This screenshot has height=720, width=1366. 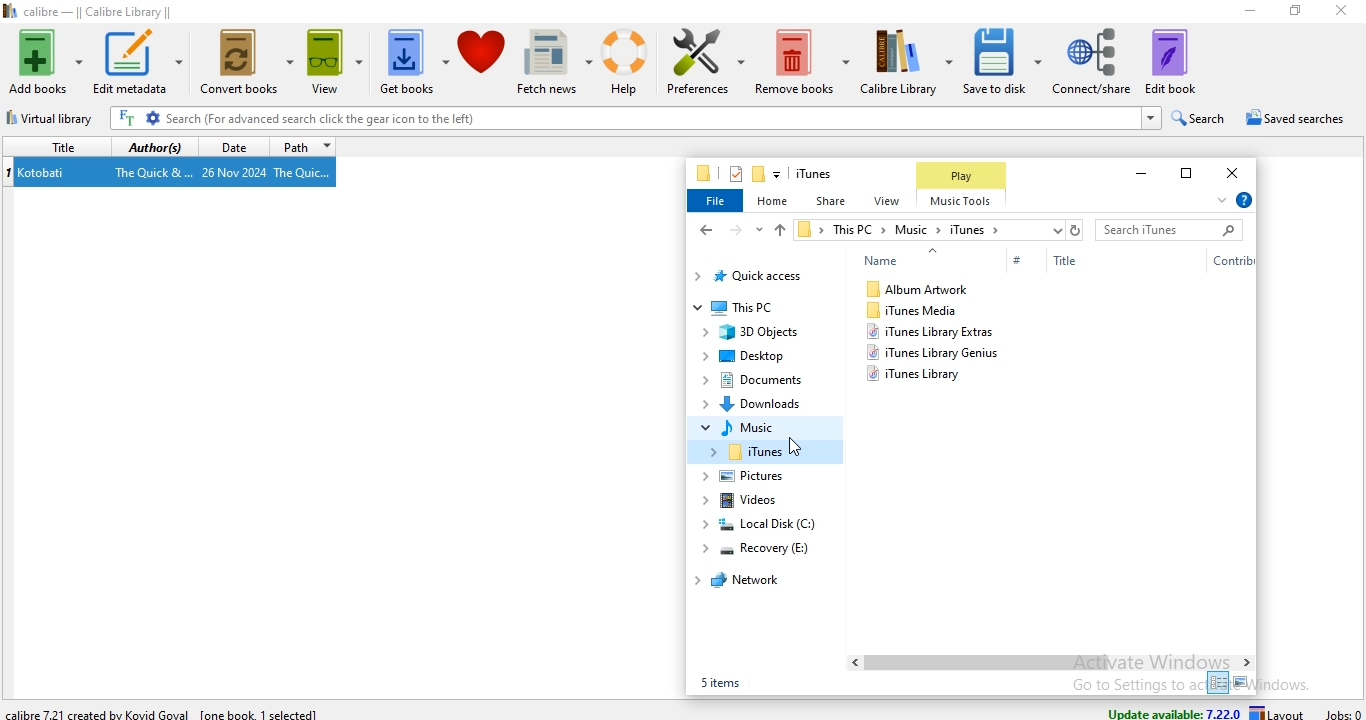 I want to click on back file path, so click(x=705, y=230).